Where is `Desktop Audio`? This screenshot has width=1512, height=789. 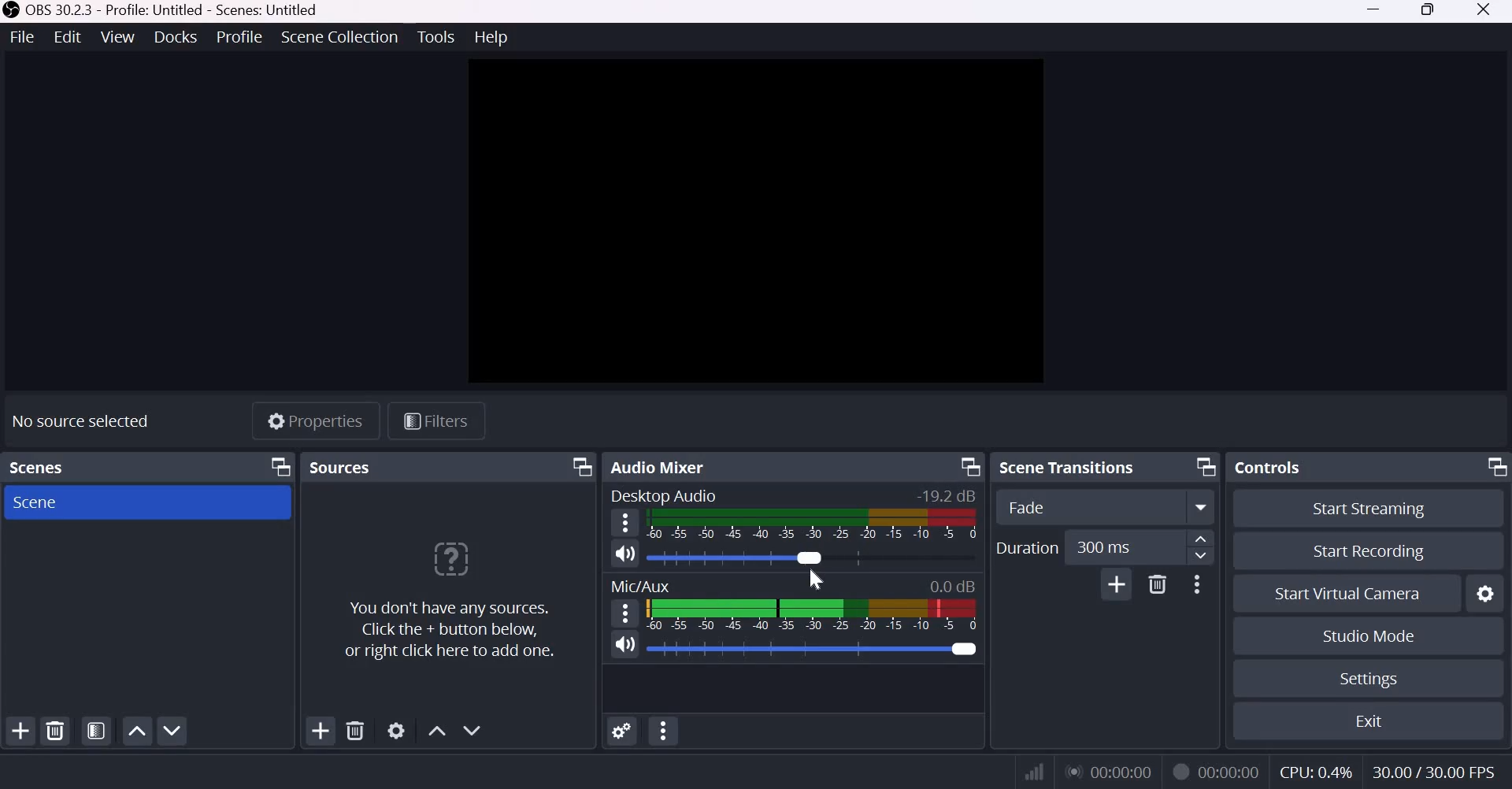 Desktop Audio is located at coordinates (665, 497).